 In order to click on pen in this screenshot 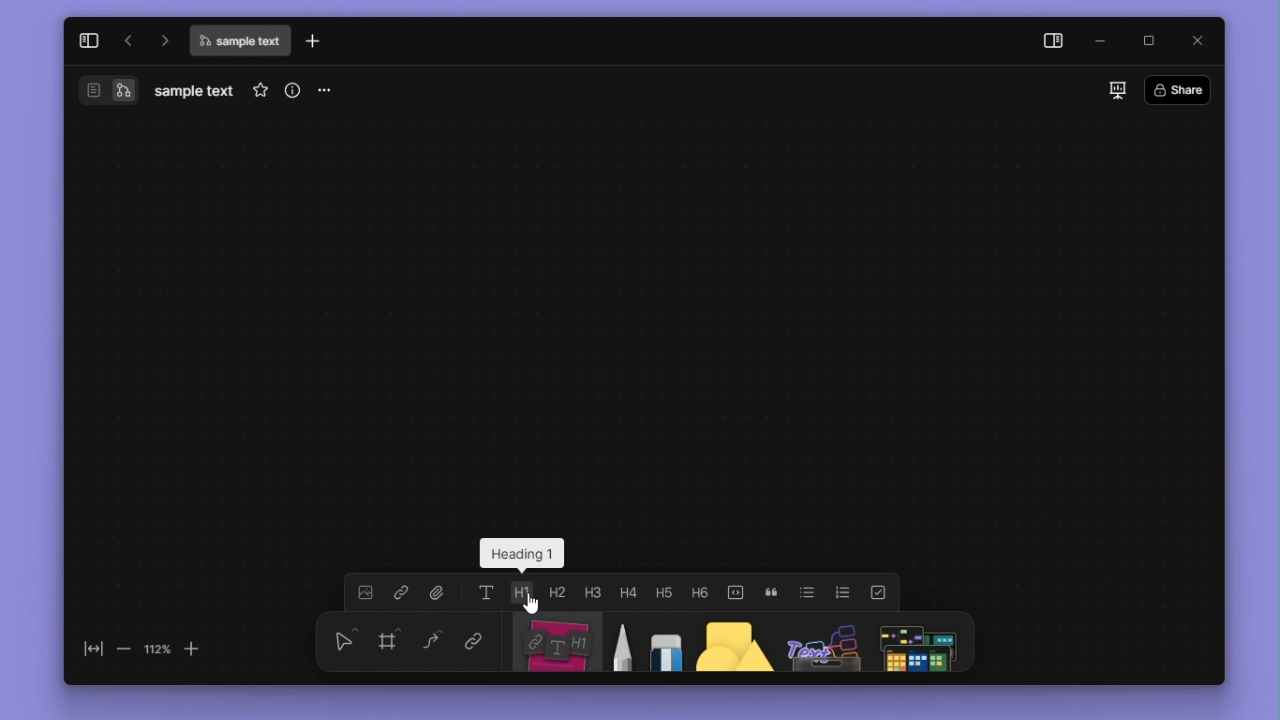, I will do `click(625, 642)`.